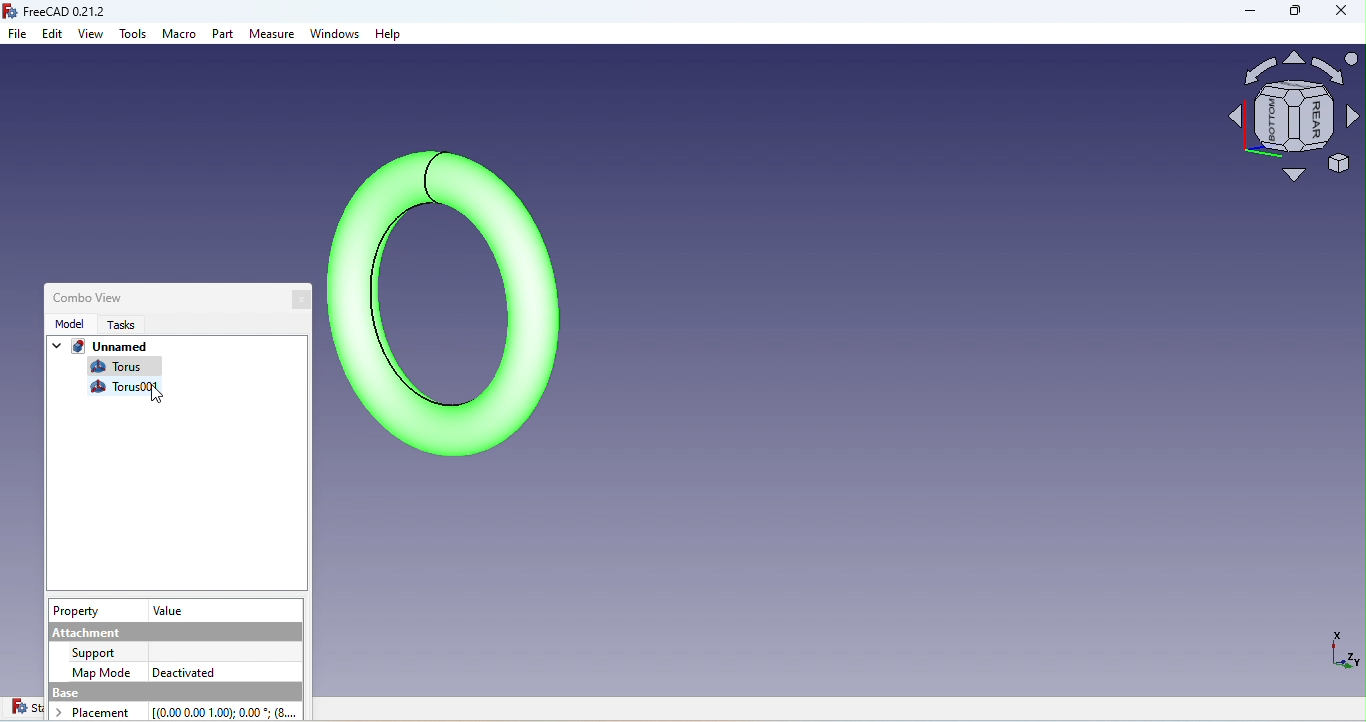 The height and width of the screenshot is (722, 1366). What do you see at coordinates (168, 609) in the screenshot?
I see `Value` at bounding box center [168, 609].